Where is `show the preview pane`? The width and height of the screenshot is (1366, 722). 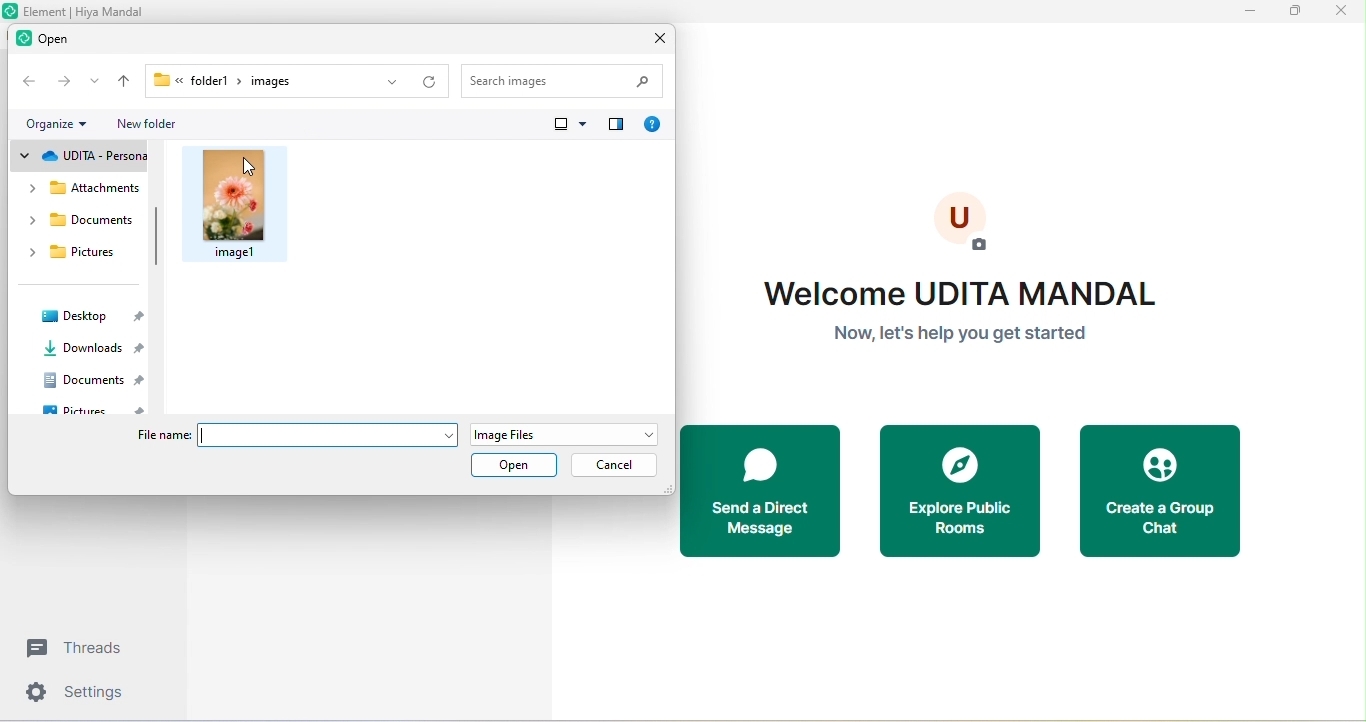 show the preview pane is located at coordinates (618, 124).